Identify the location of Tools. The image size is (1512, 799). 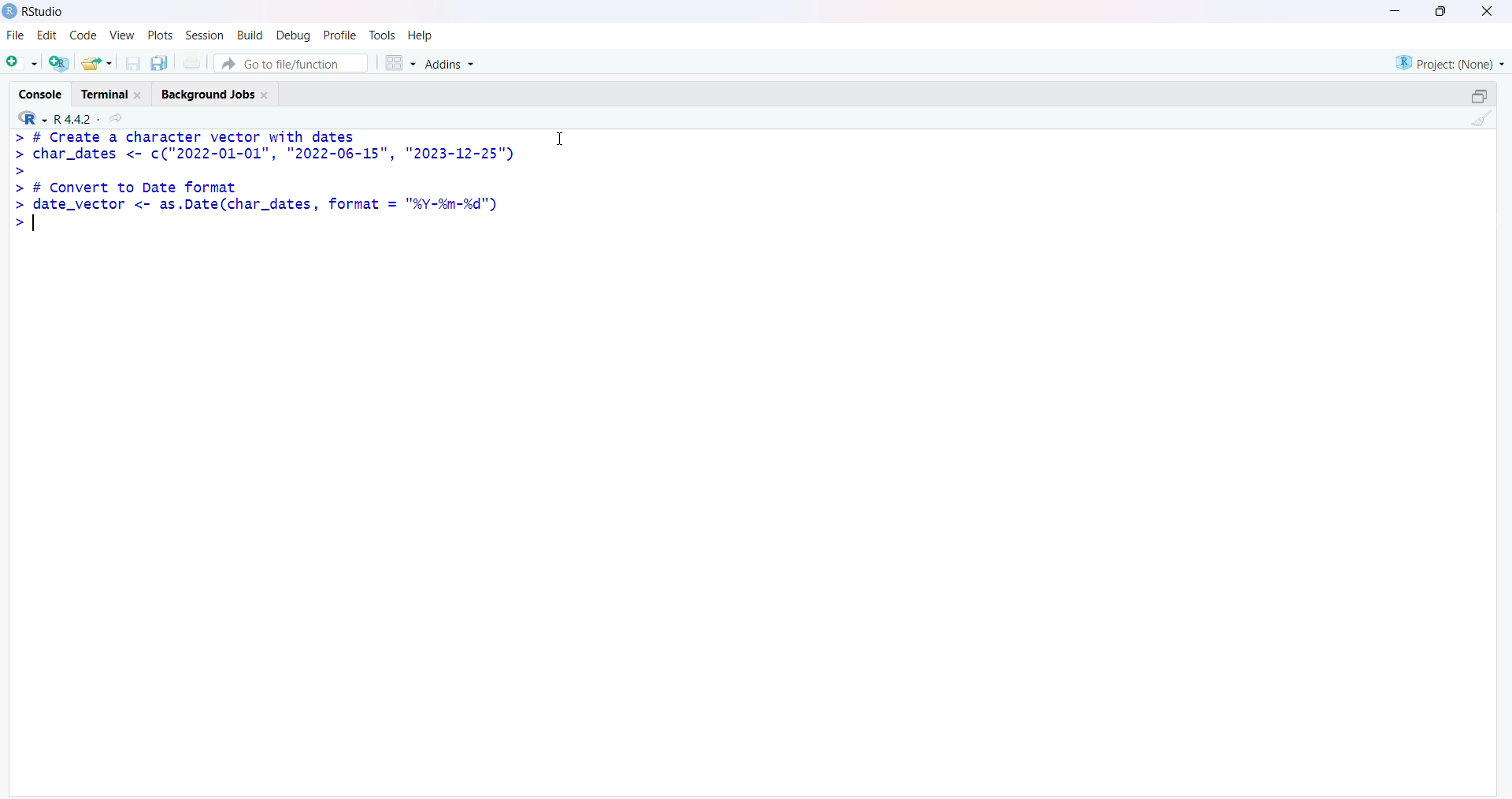
(383, 35).